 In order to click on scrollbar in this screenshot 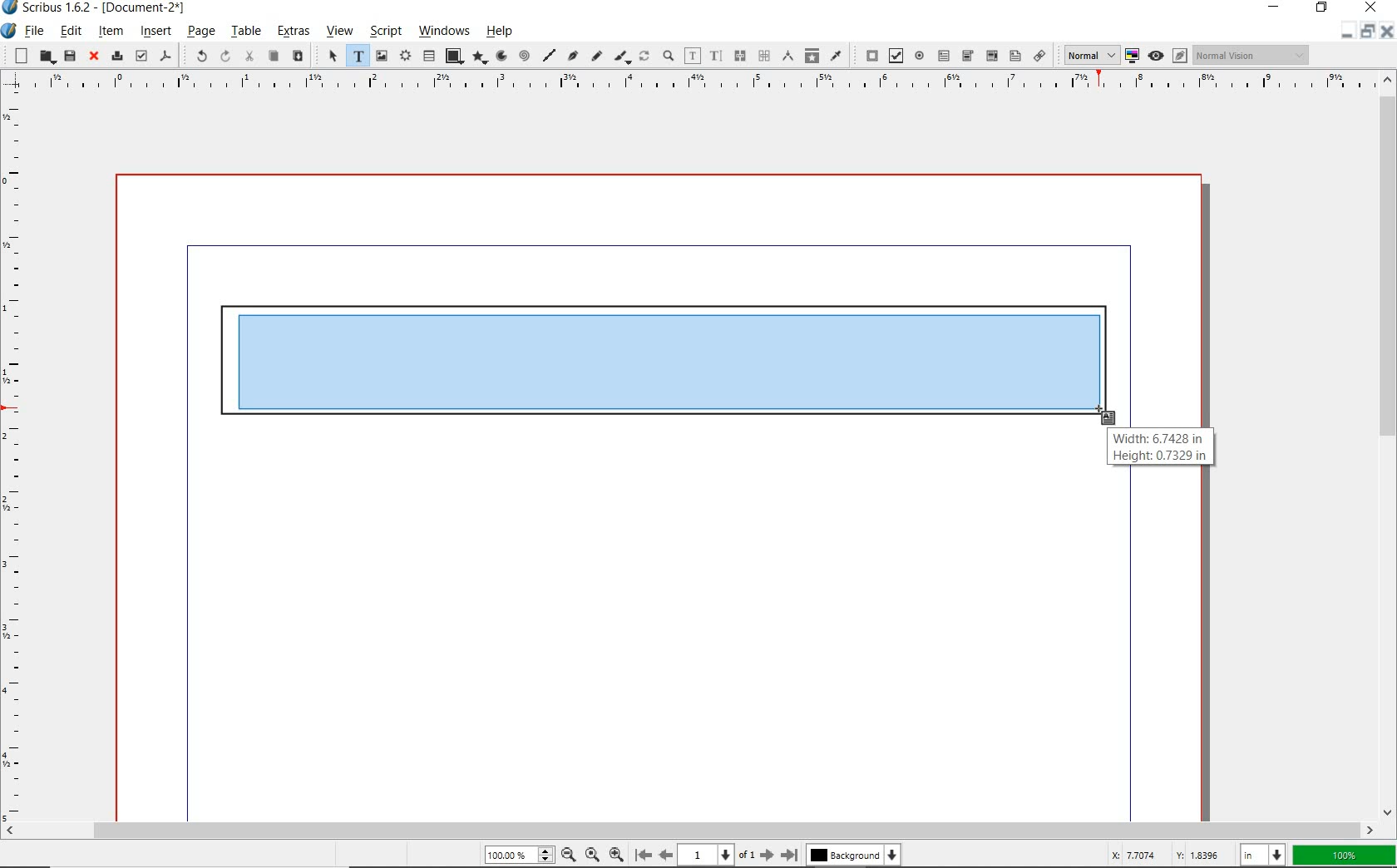, I will do `click(690, 829)`.